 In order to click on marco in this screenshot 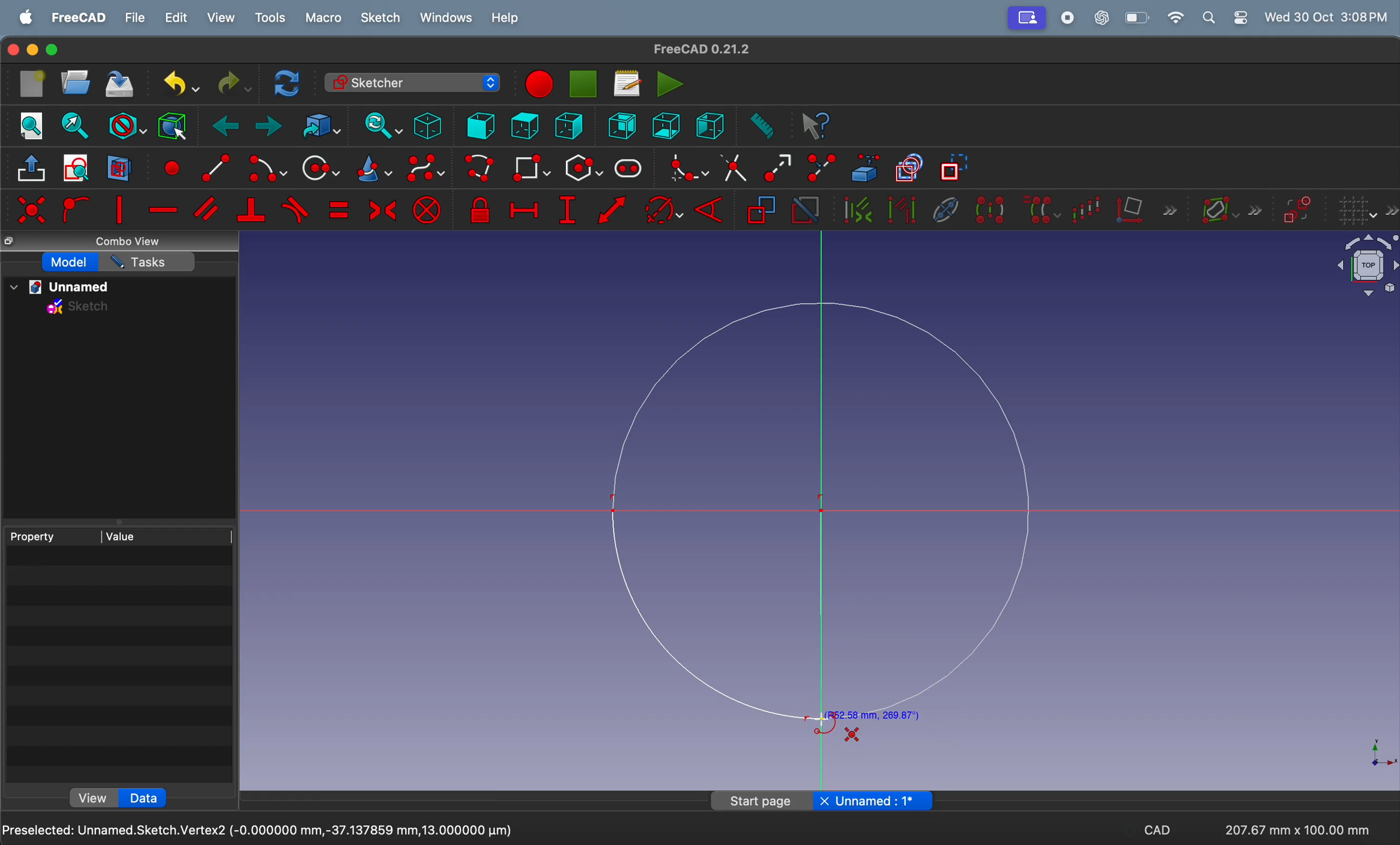, I will do `click(325, 19)`.